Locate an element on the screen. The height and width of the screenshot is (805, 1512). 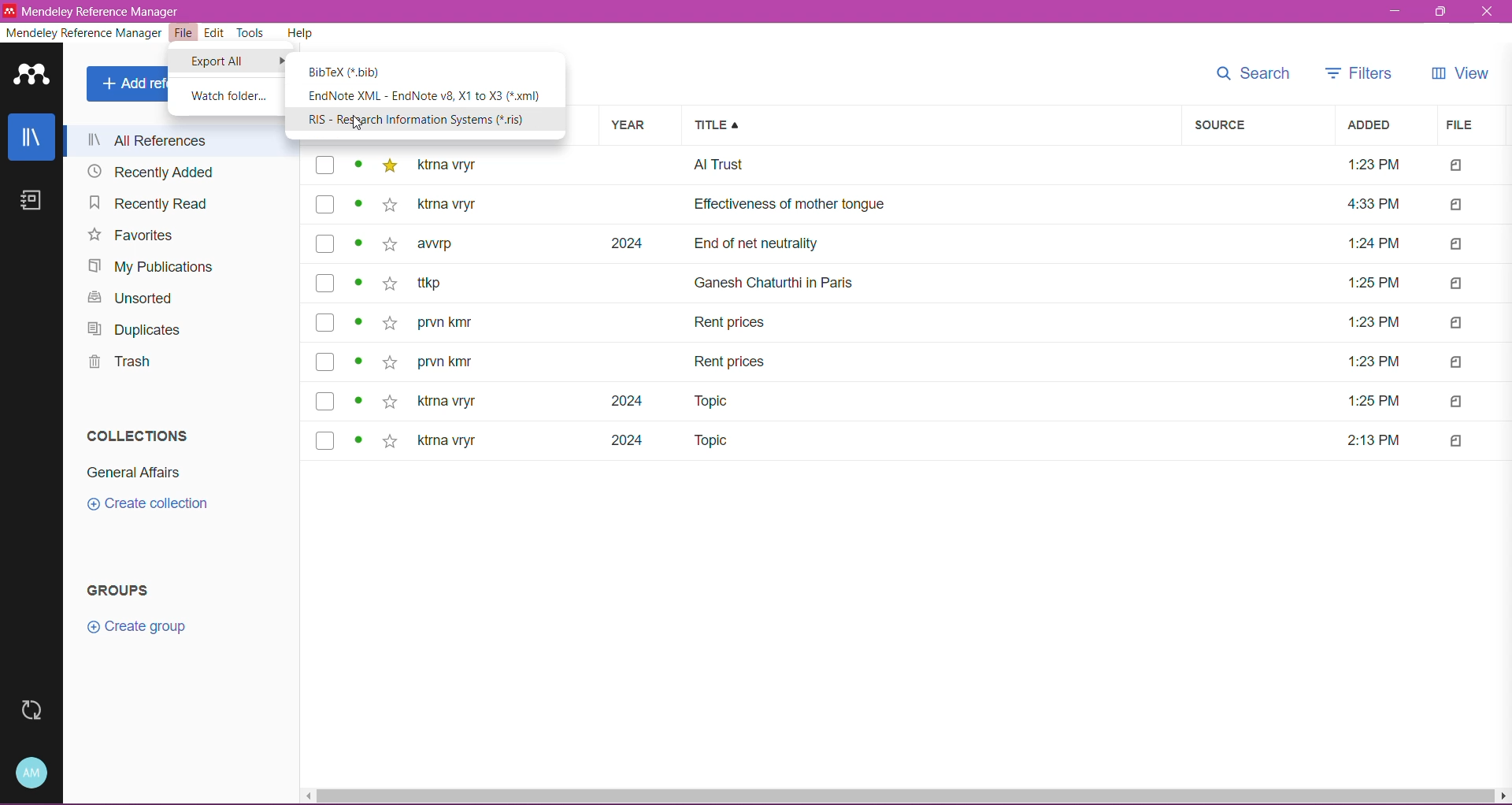
Mendeley Reference Manager is located at coordinates (90, 35).